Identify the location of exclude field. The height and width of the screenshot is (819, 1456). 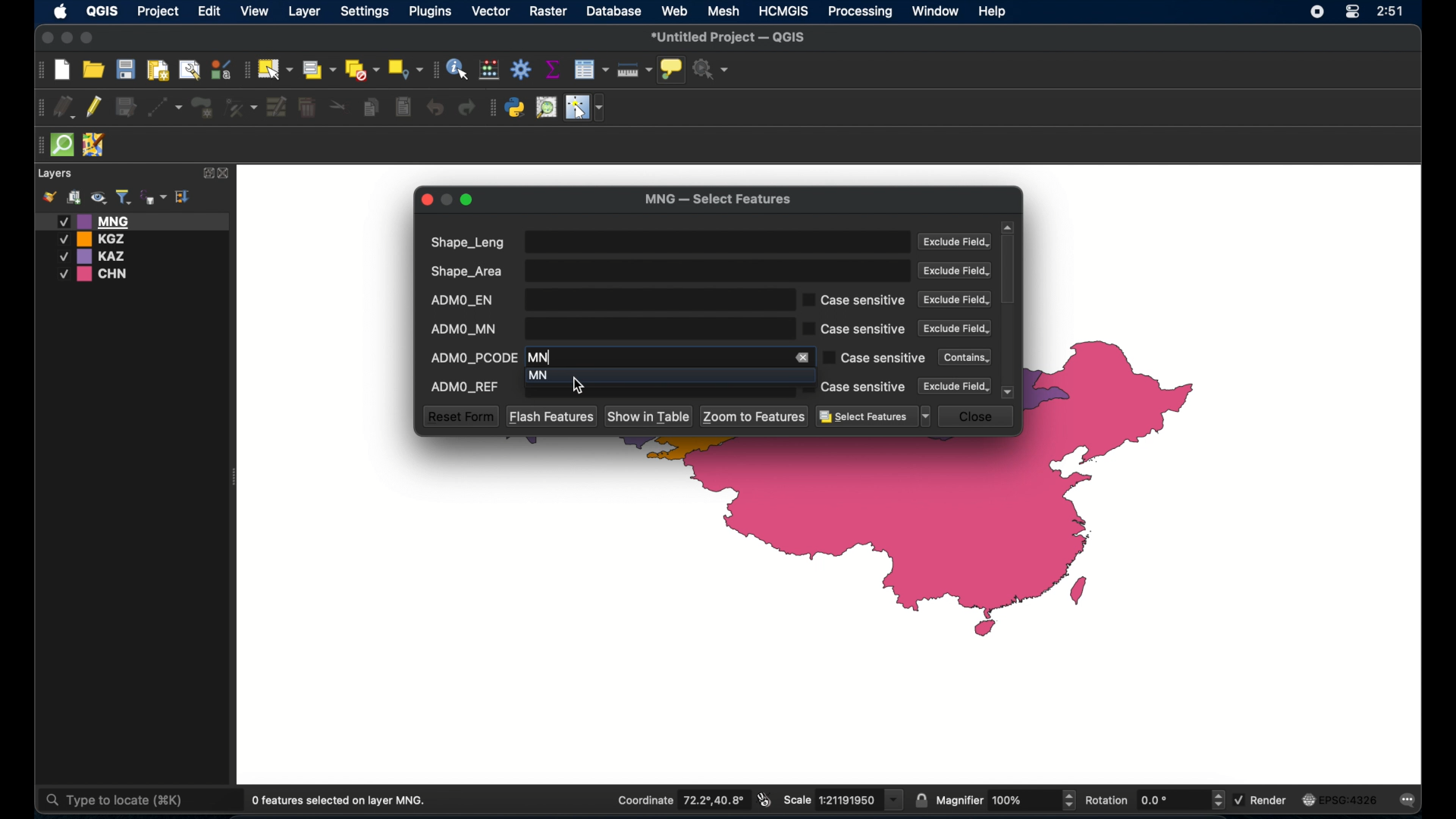
(956, 243).